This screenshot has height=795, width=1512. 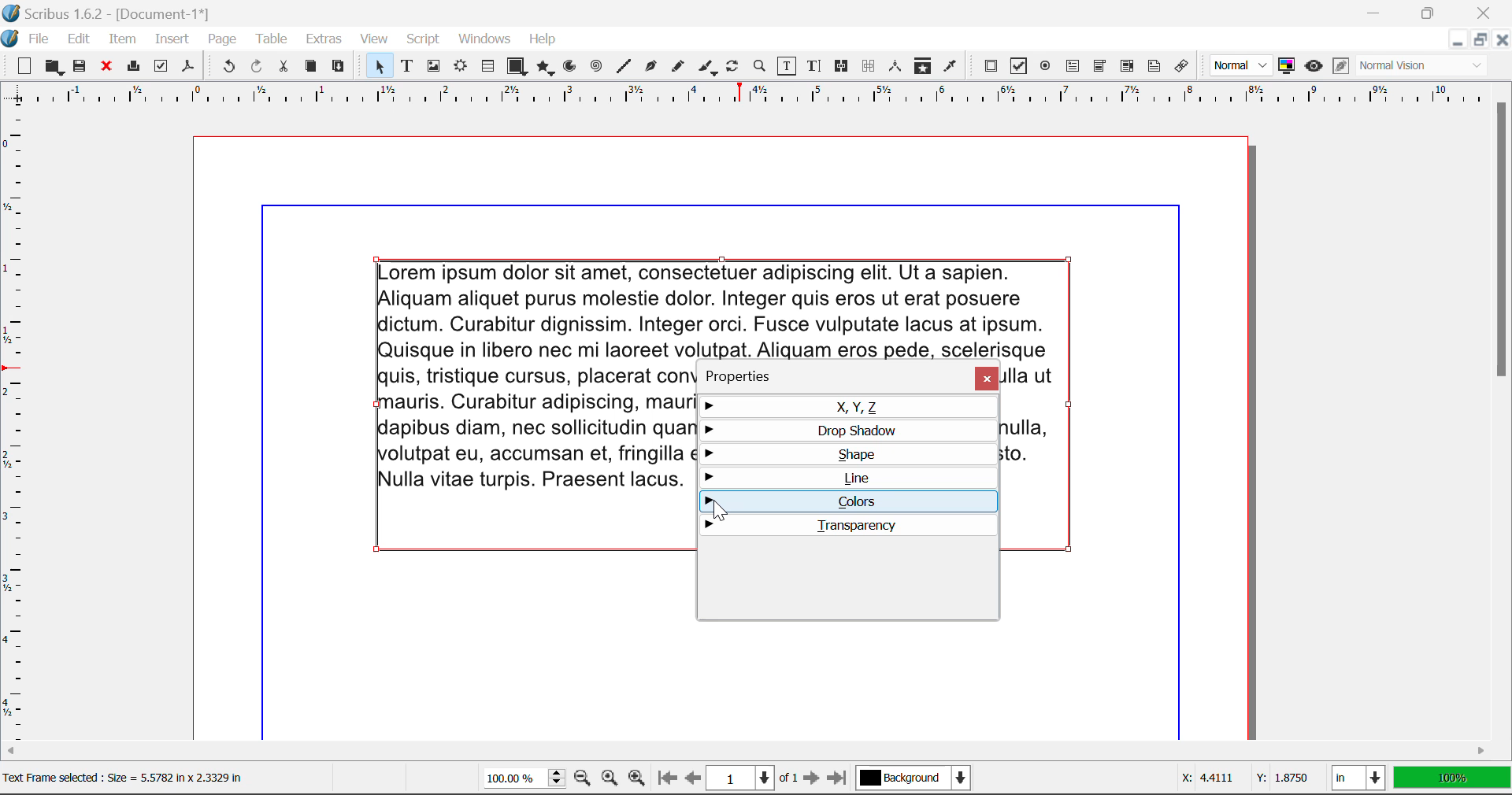 I want to click on Last Page, so click(x=840, y=781).